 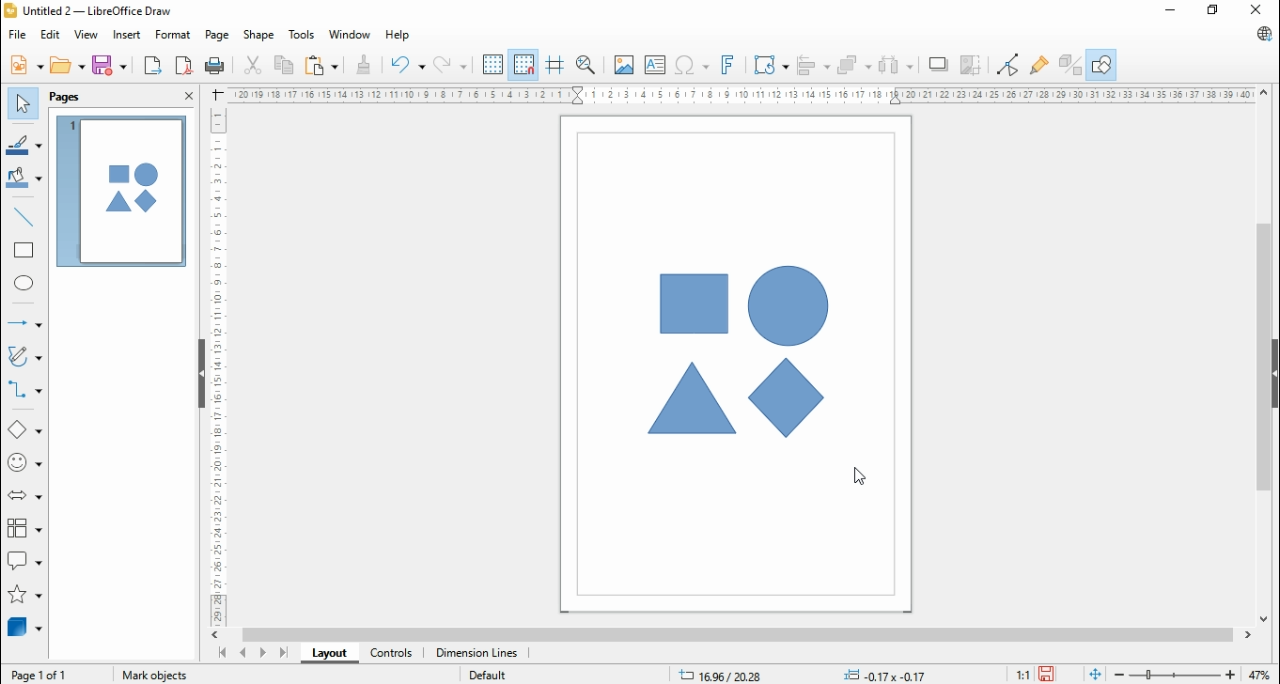 What do you see at coordinates (22, 323) in the screenshot?
I see `lines and arrows` at bounding box center [22, 323].